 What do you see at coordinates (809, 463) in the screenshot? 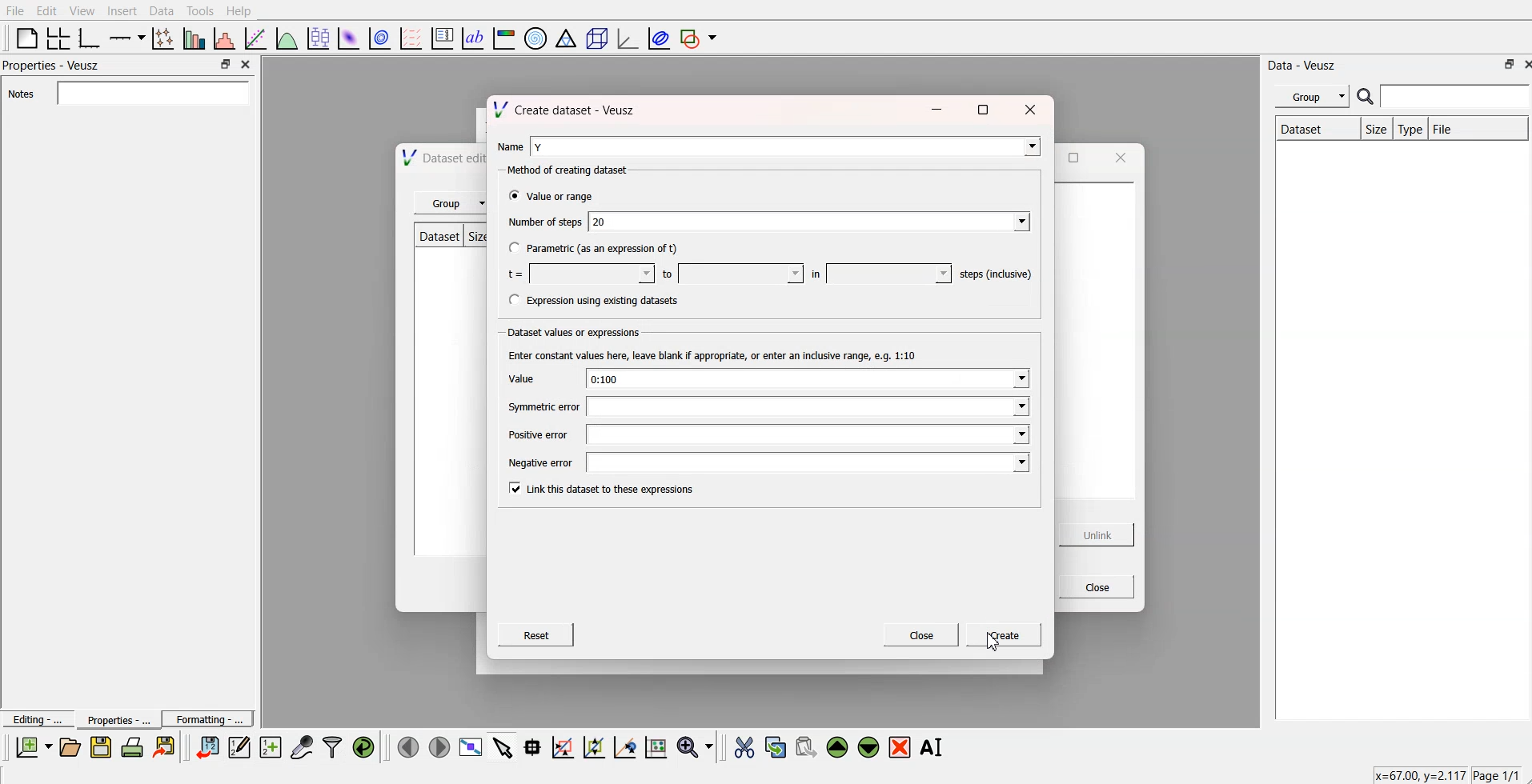
I see `field` at bounding box center [809, 463].